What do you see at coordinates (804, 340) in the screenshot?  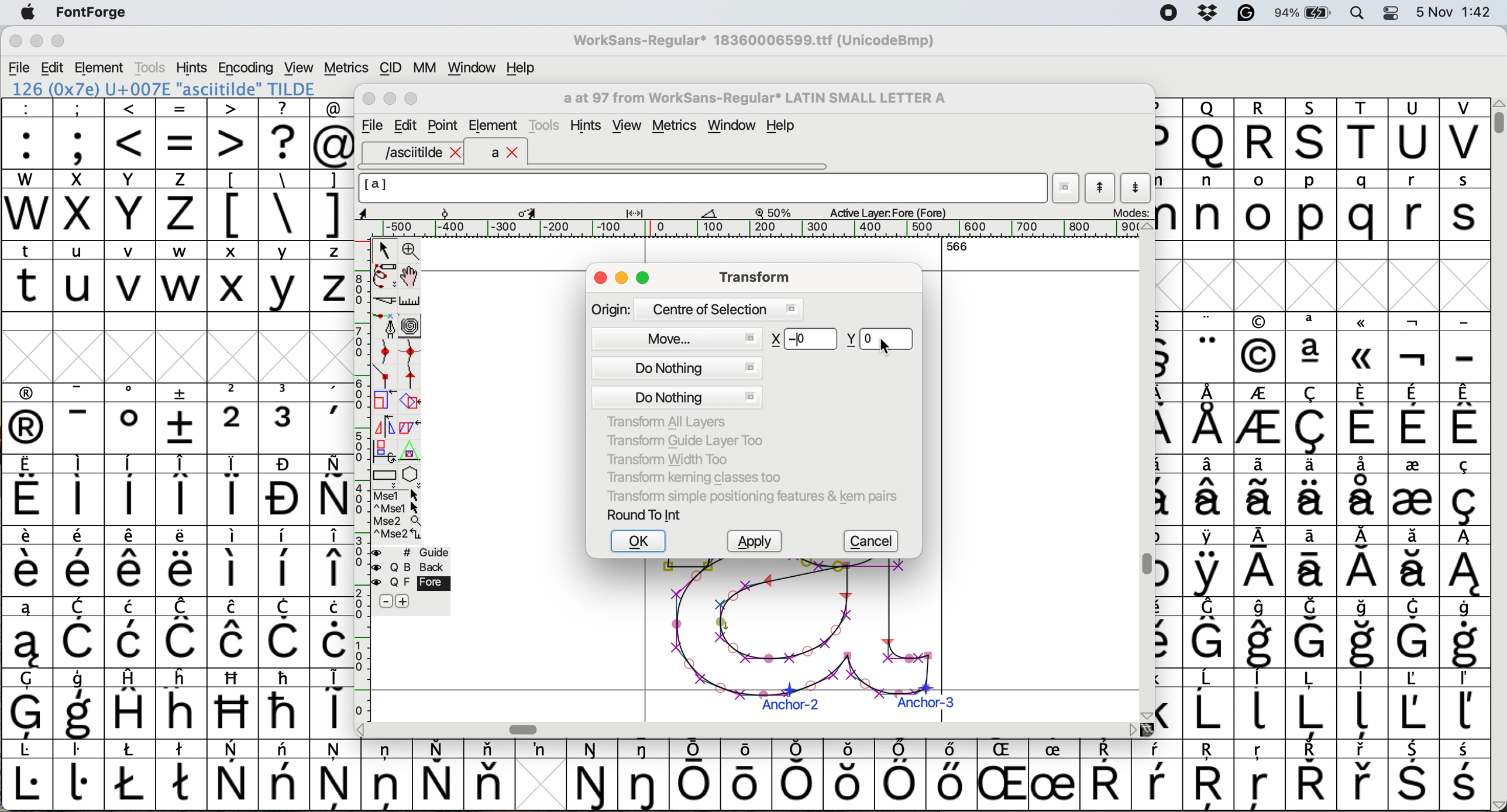 I see `new x value` at bounding box center [804, 340].